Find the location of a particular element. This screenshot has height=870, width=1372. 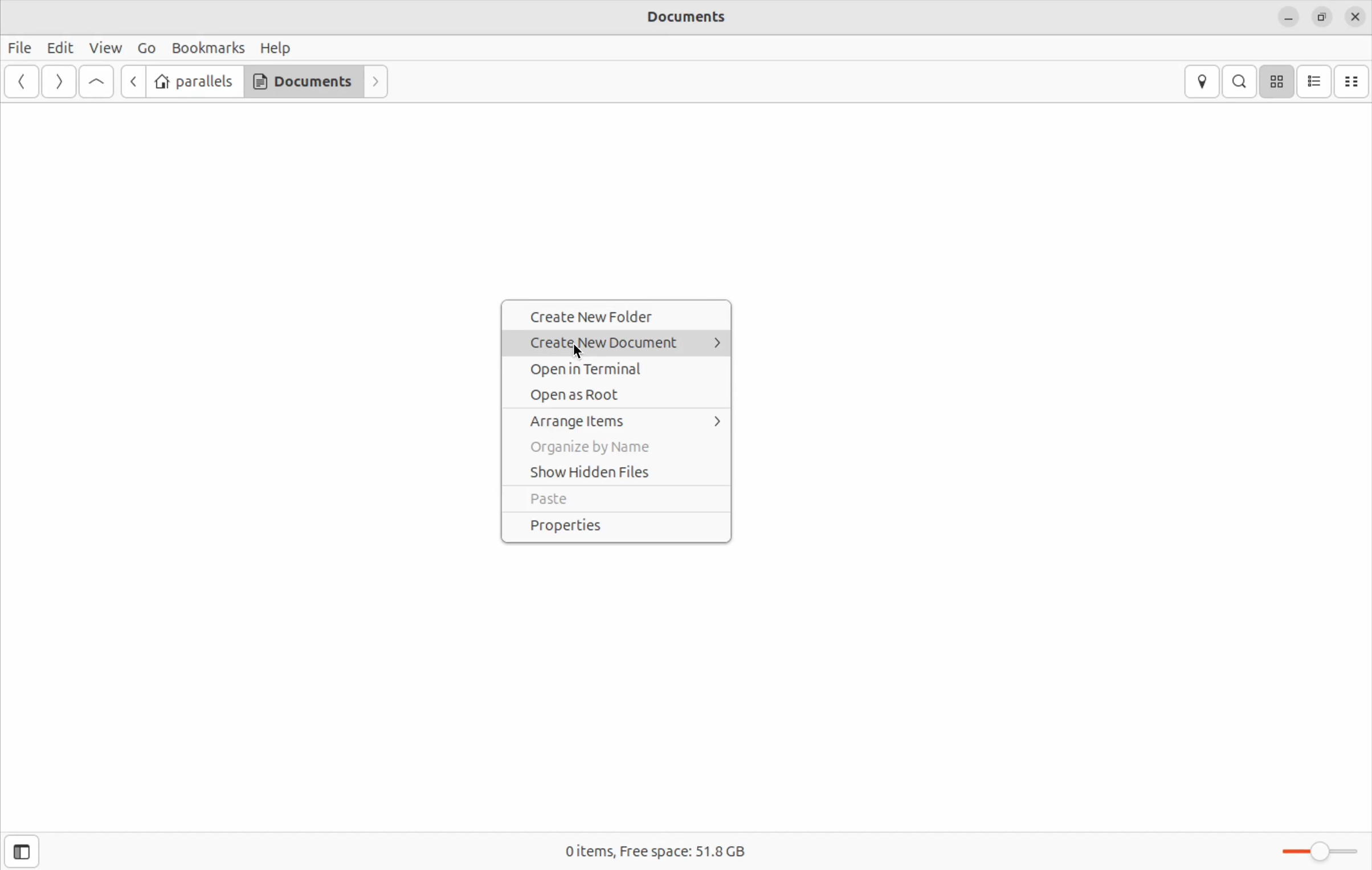

minimize is located at coordinates (1288, 17).